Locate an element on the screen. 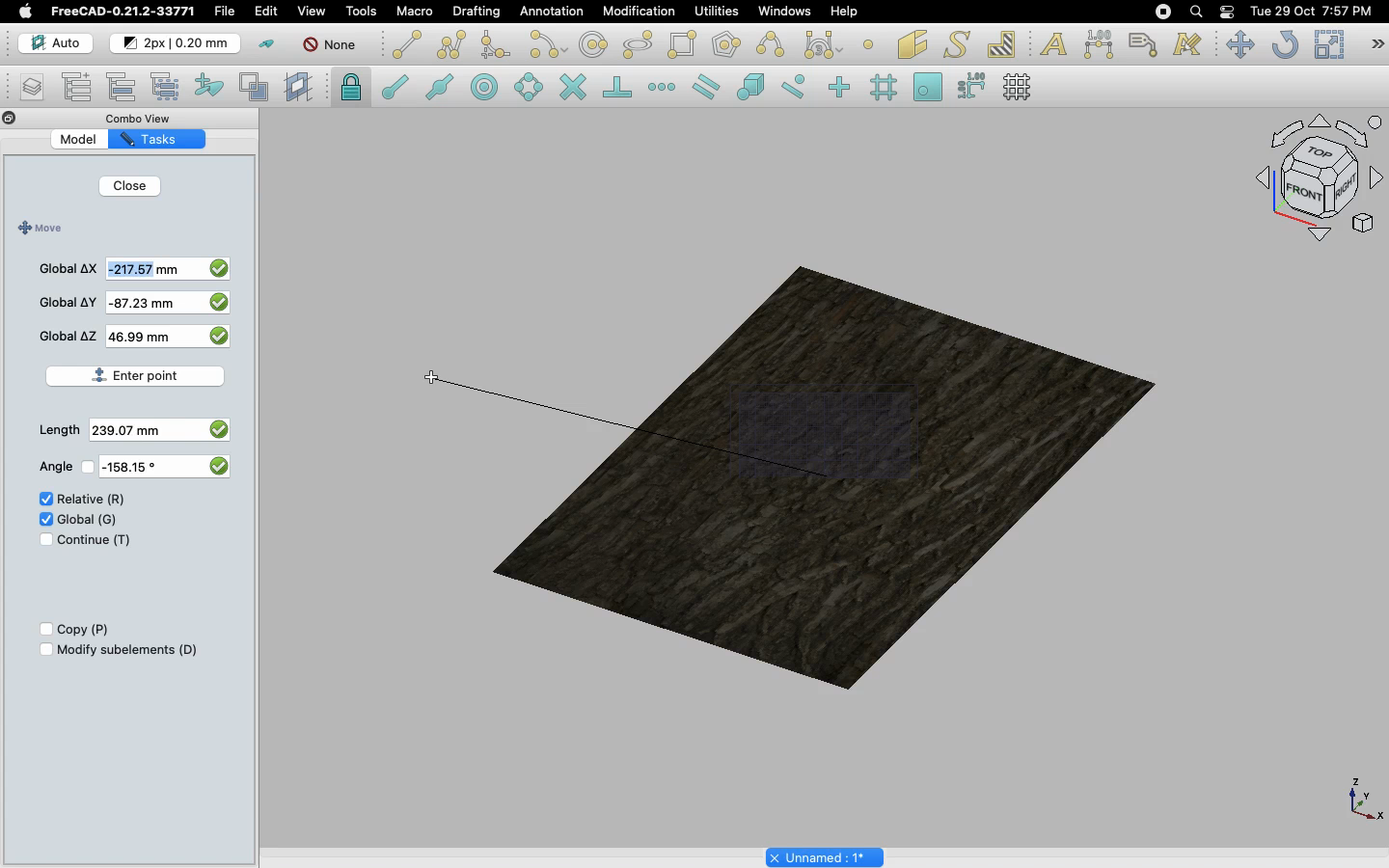  1 is located at coordinates (134, 338).